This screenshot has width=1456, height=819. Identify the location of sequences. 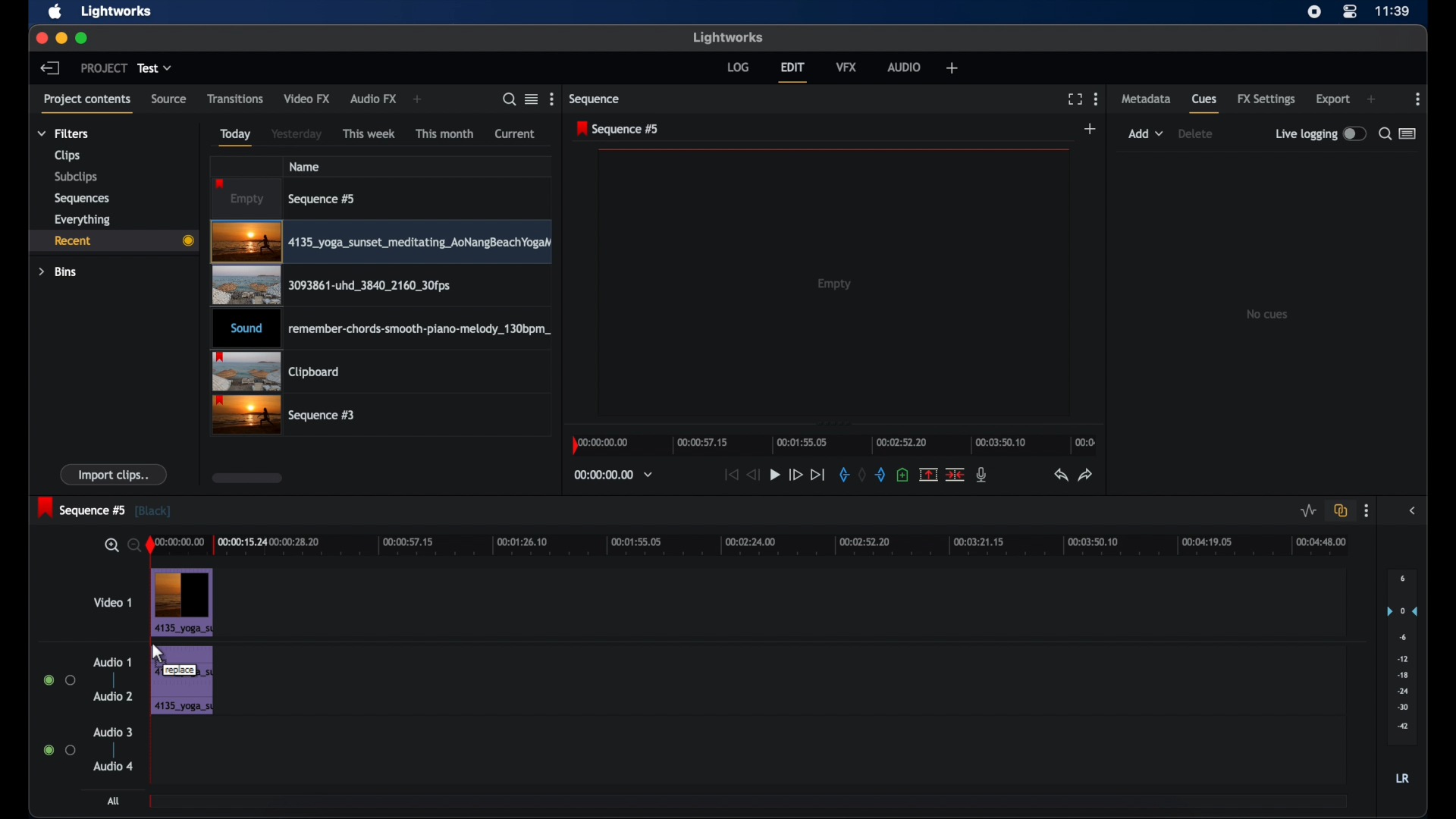
(81, 199).